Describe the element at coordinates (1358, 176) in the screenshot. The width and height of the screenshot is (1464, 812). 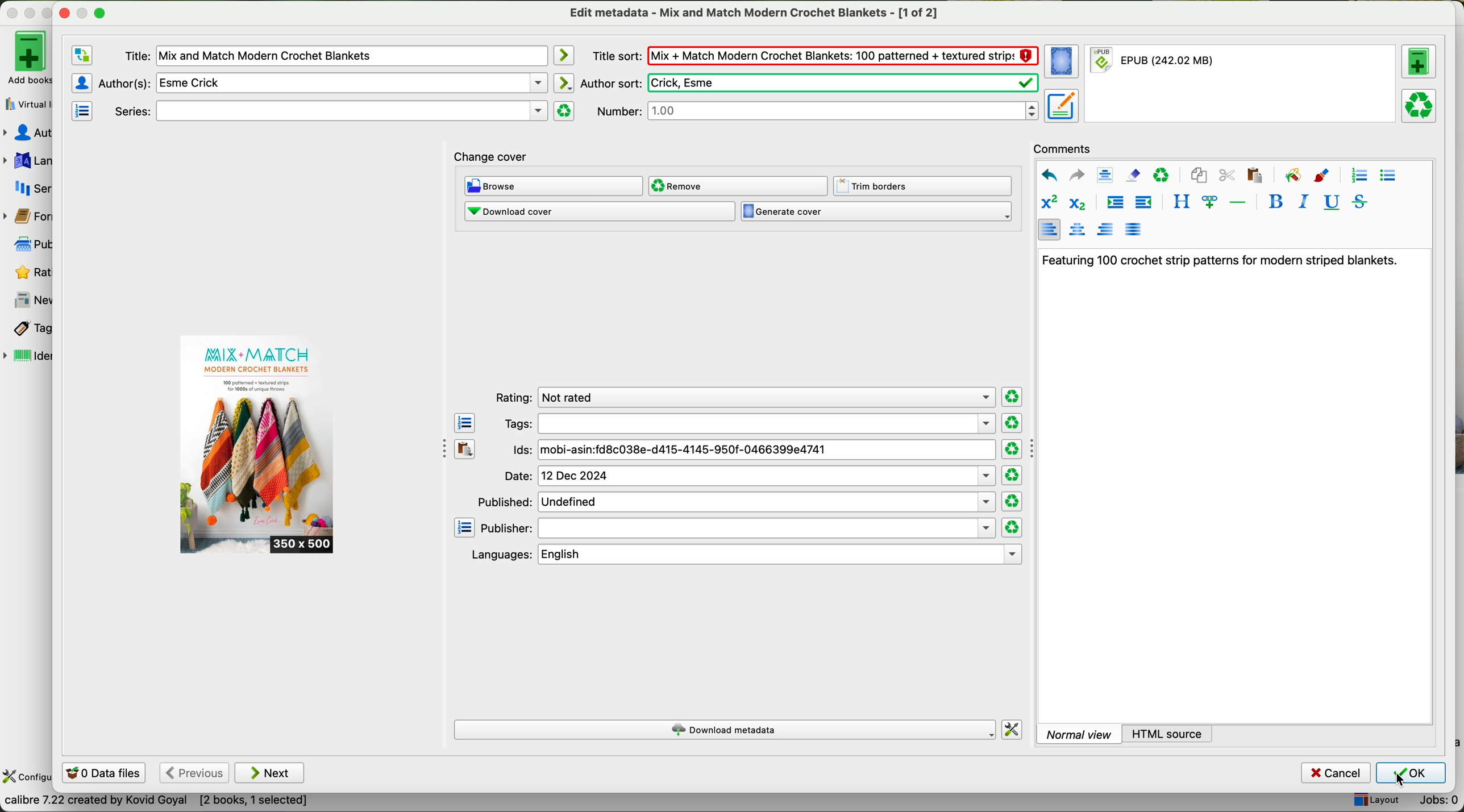
I see `ordered list` at that location.